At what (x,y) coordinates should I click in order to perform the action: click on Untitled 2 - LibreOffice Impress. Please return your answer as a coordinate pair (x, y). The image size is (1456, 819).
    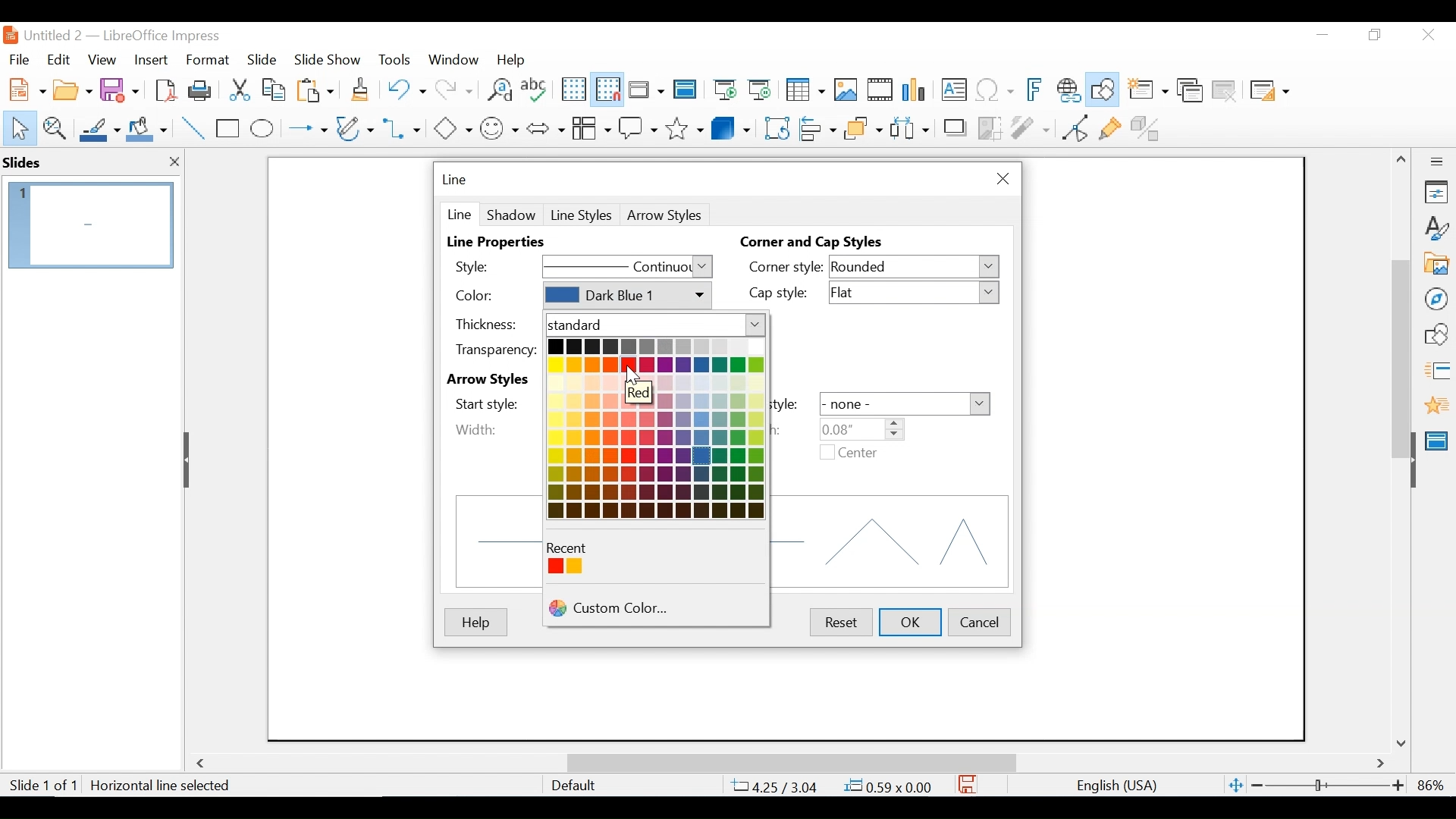
    Looking at the image, I should click on (137, 35).